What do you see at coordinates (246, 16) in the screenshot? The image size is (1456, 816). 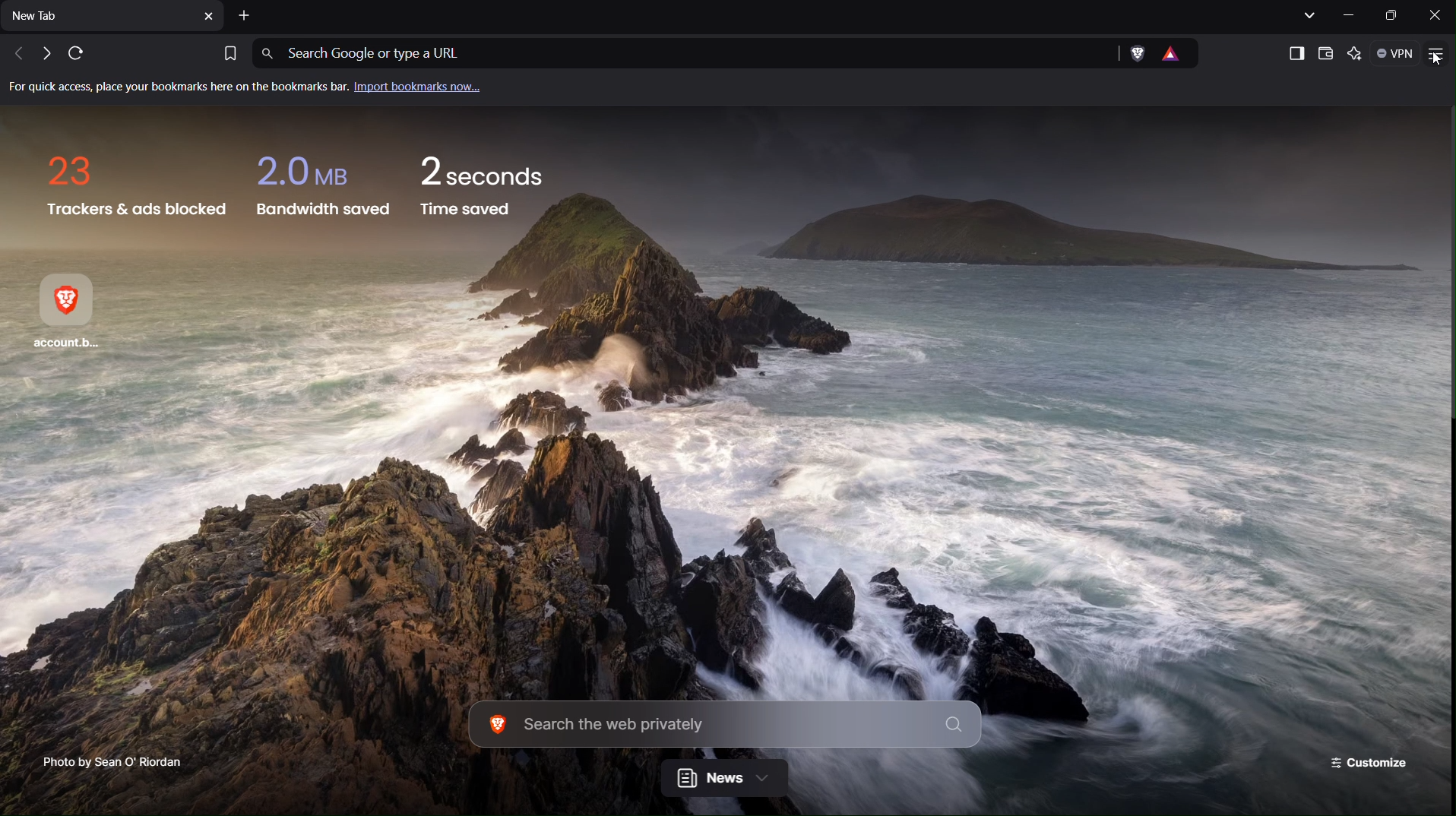 I see `Add New Tab` at bounding box center [246, 16].